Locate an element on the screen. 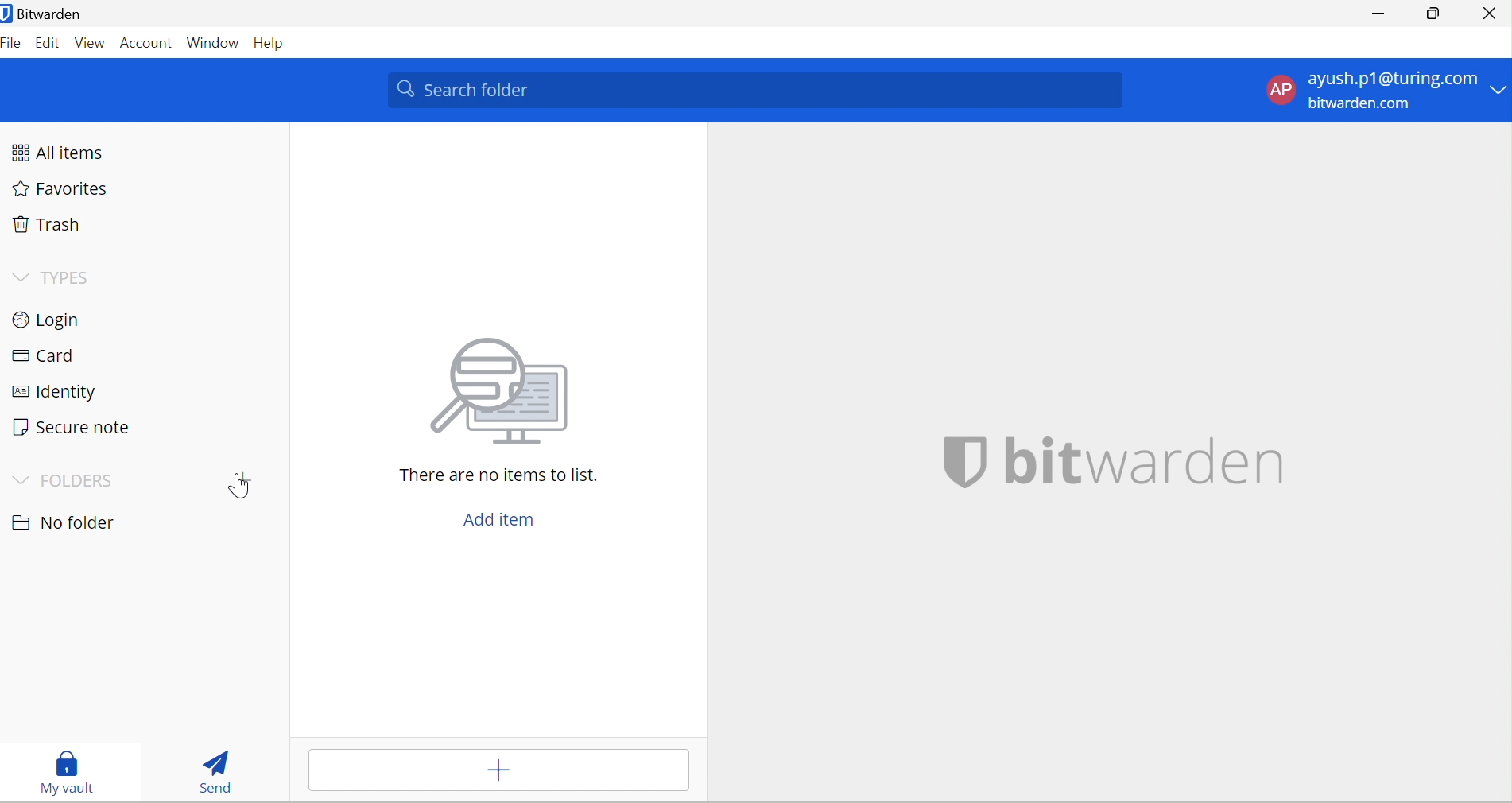 The image size is (1512, 803). bitwarden.com is located at coordinates (1359, 103).